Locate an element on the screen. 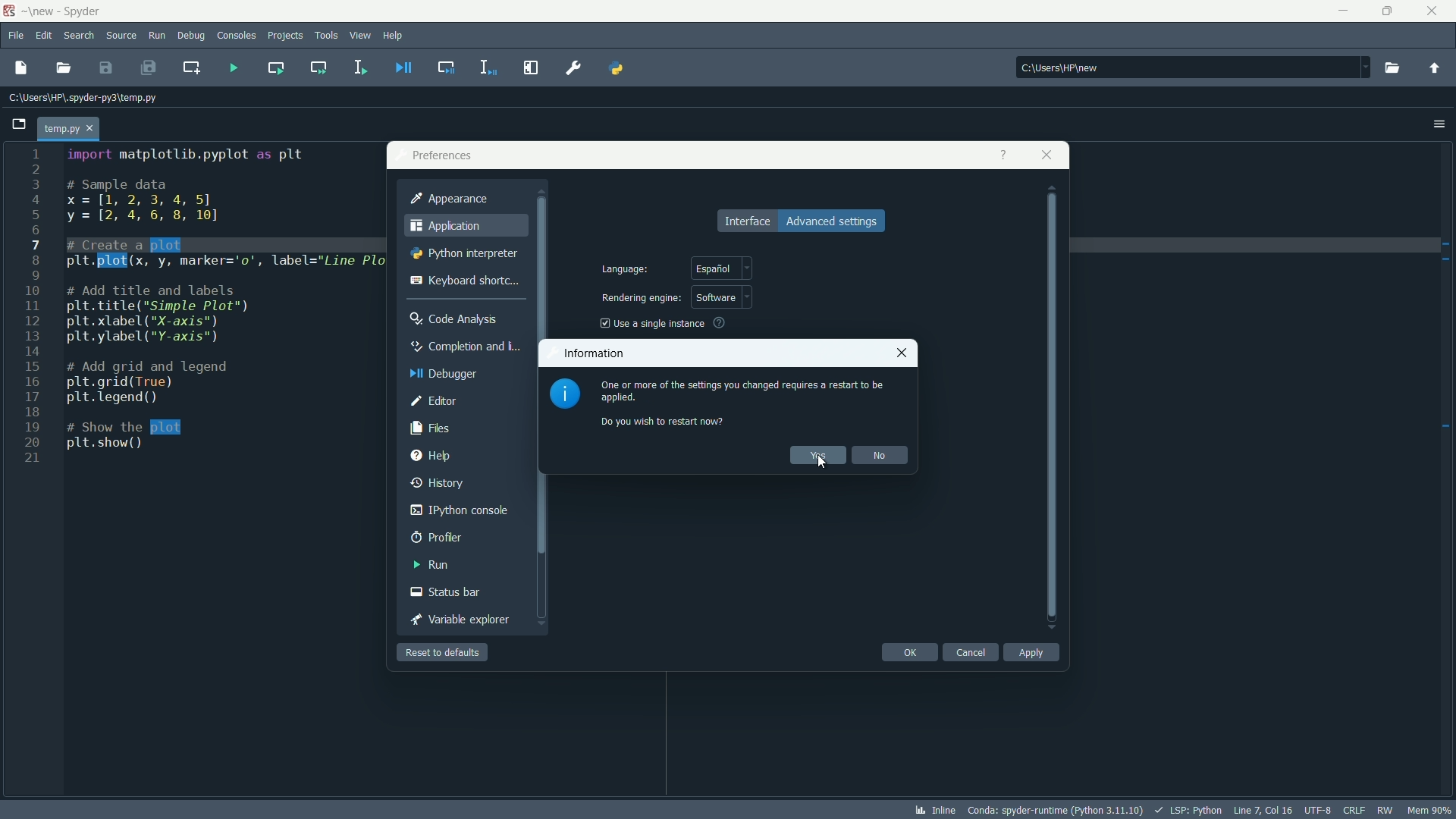 This screenshot has height=819, width=1456. no is located at coordinates (880, 454).